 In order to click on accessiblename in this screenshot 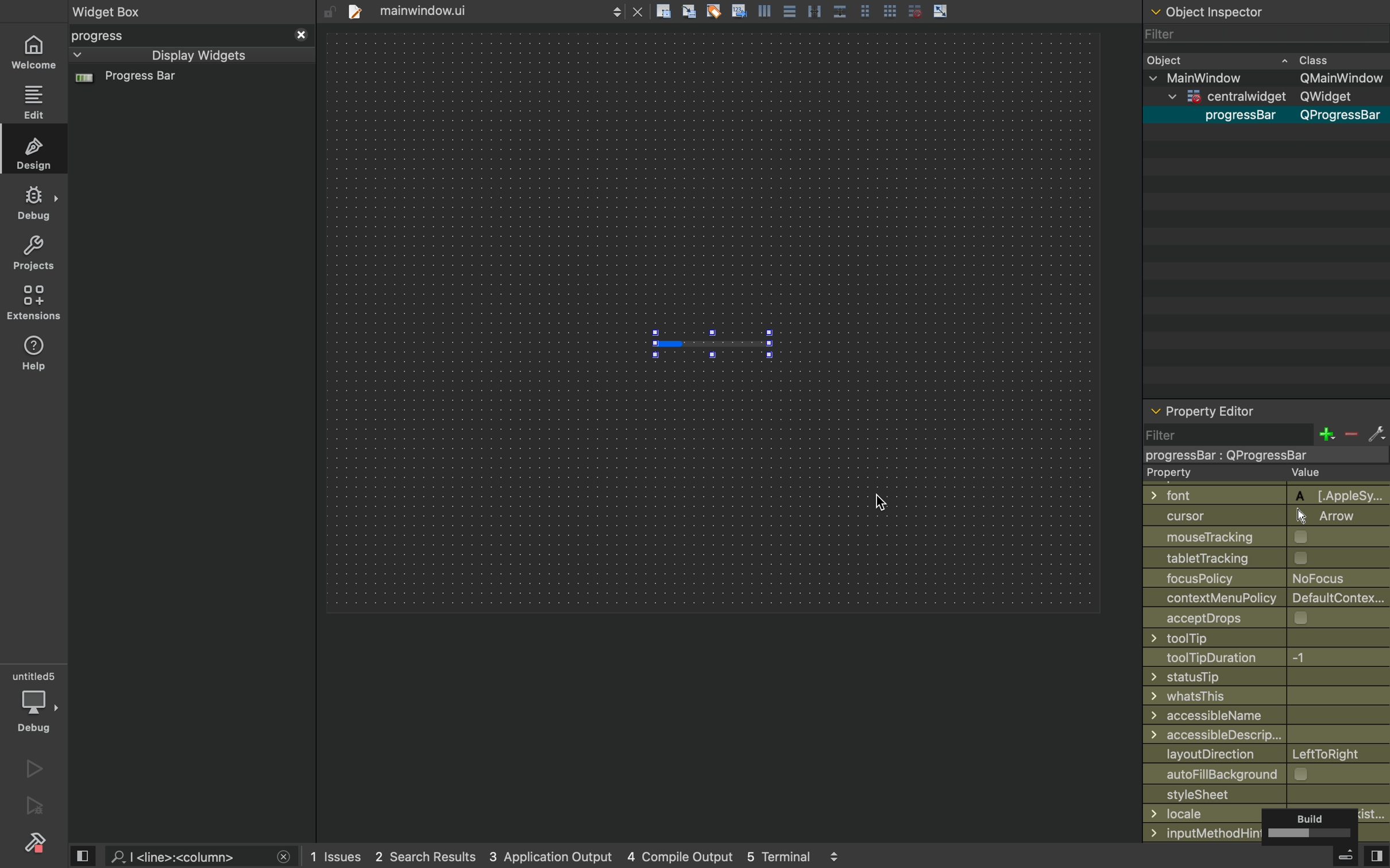, I will do `click(1262, 715)`.